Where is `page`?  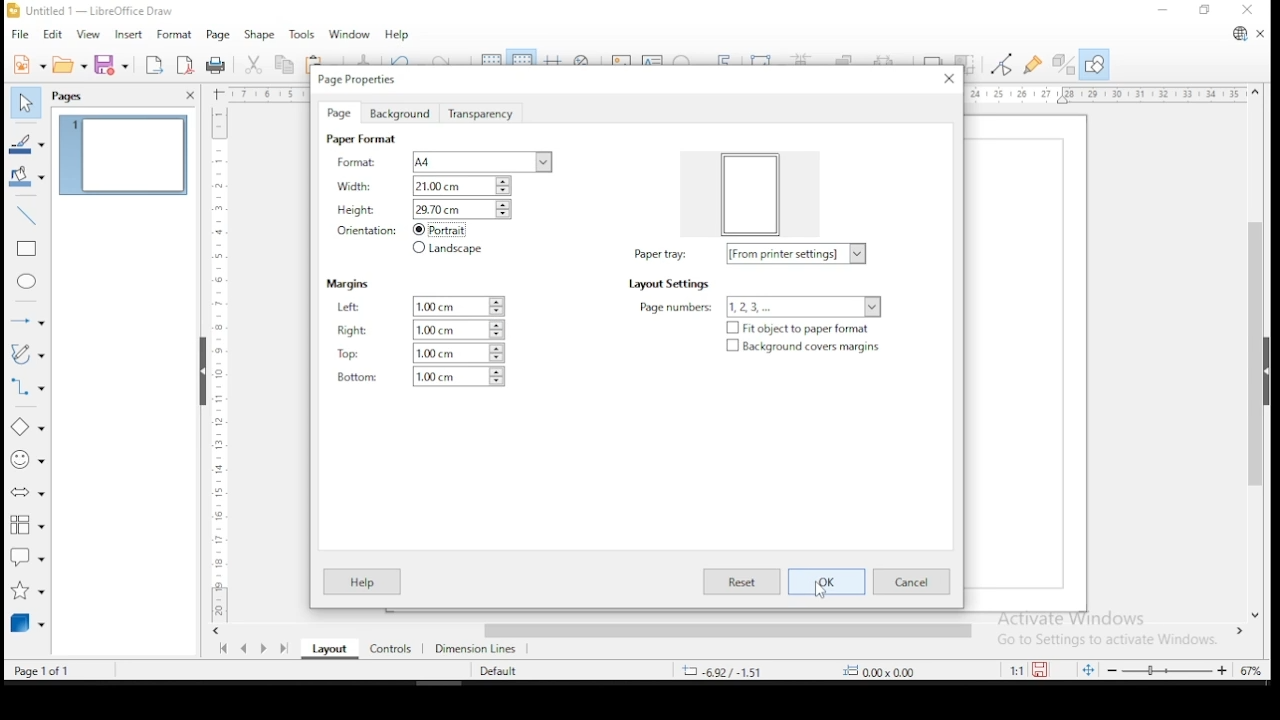 page is located at coordinates (219, 37).